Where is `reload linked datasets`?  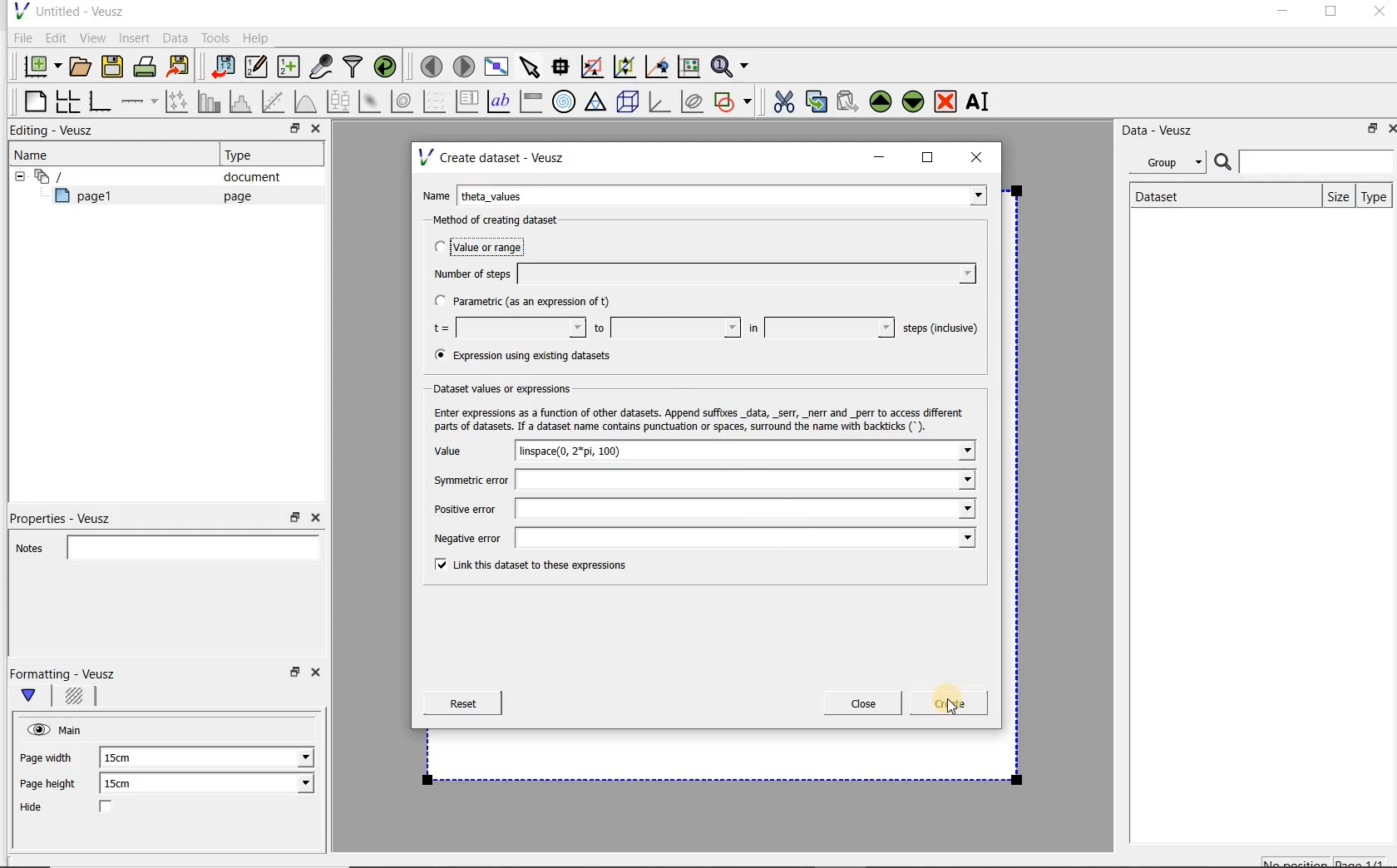 reload linked datasets is located at coordinates (388, 67).